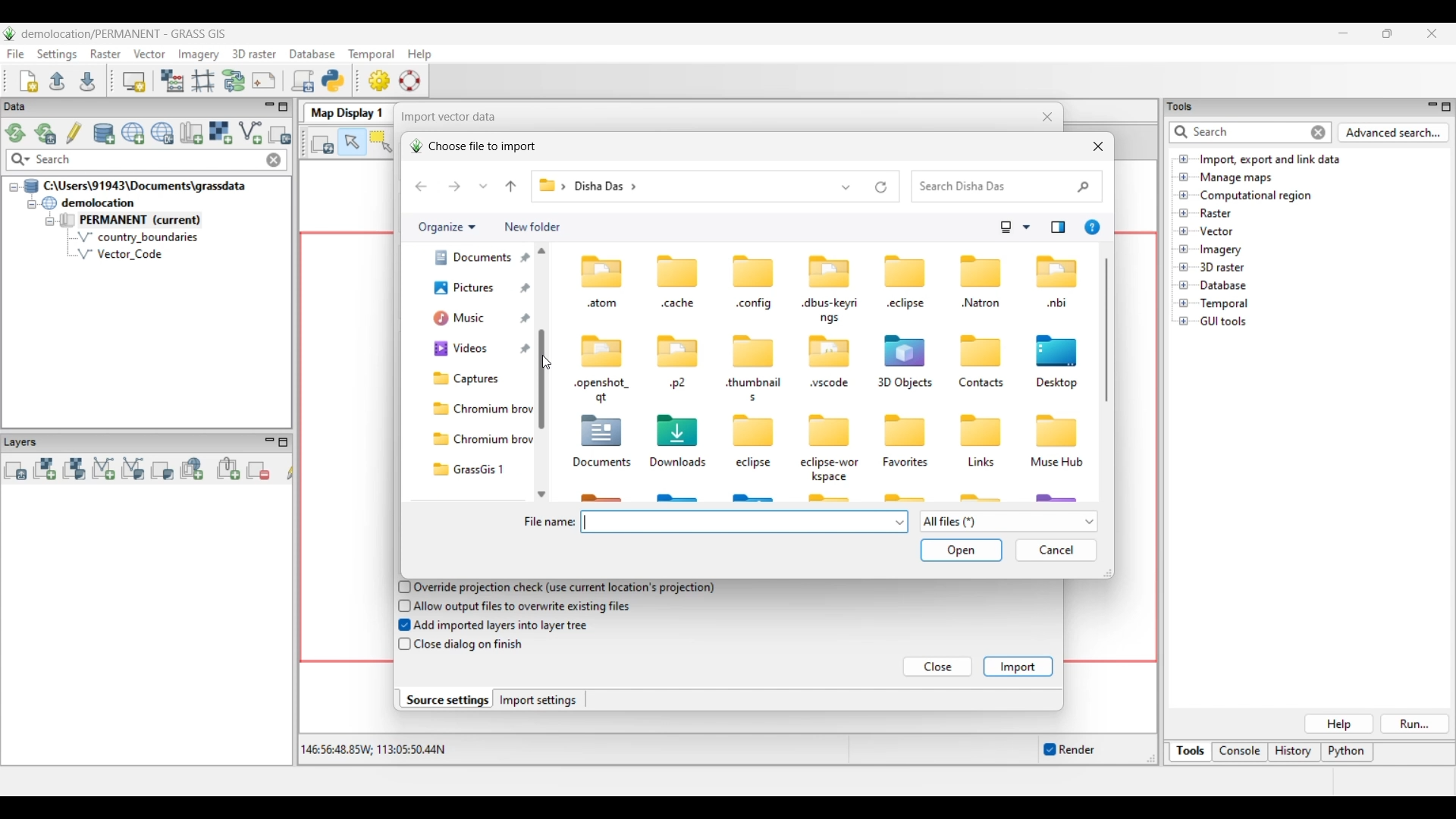 The image size is (1456, 819). What do you see at coordinates (737, 522) in the screenshot?
I see `Type in file name` at bounding box center [737, 522].